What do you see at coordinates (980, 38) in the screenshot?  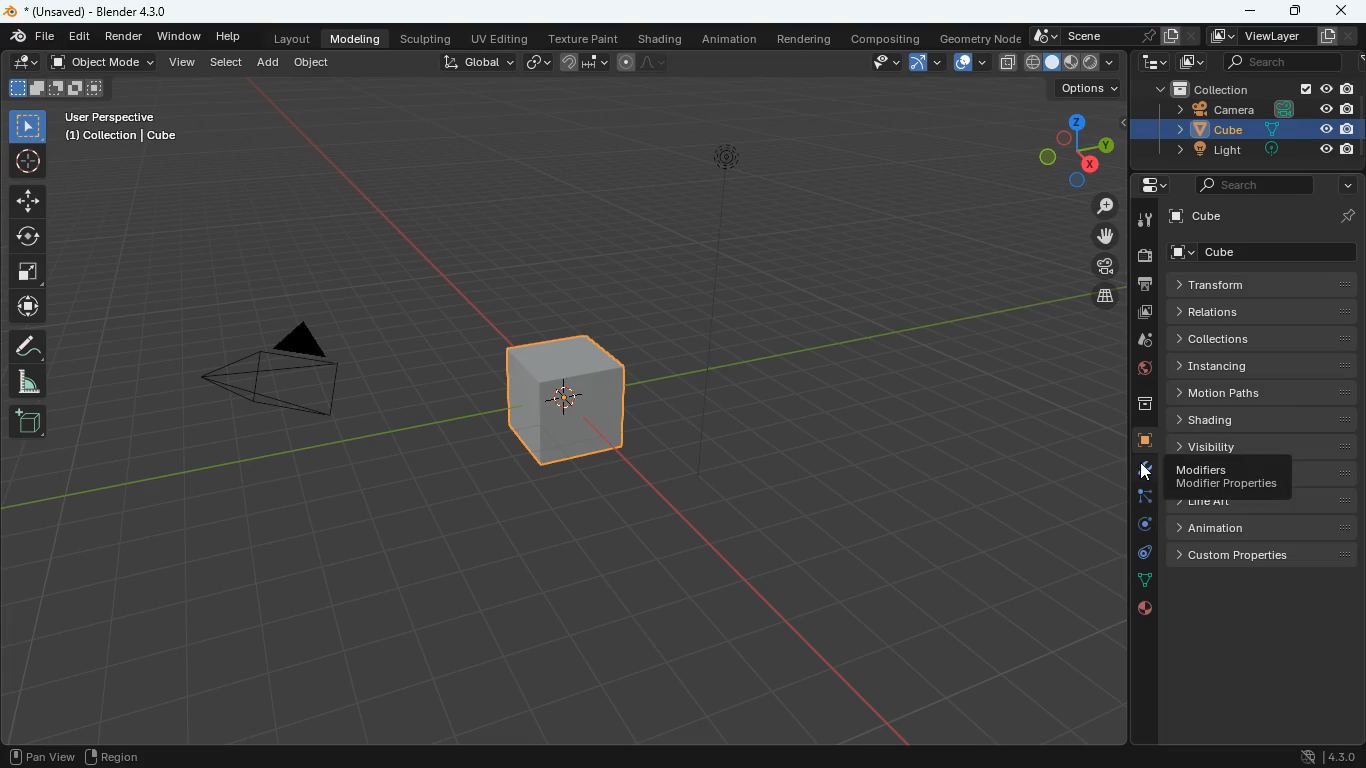 I see `geometry node` at bounding box center [980, 38].